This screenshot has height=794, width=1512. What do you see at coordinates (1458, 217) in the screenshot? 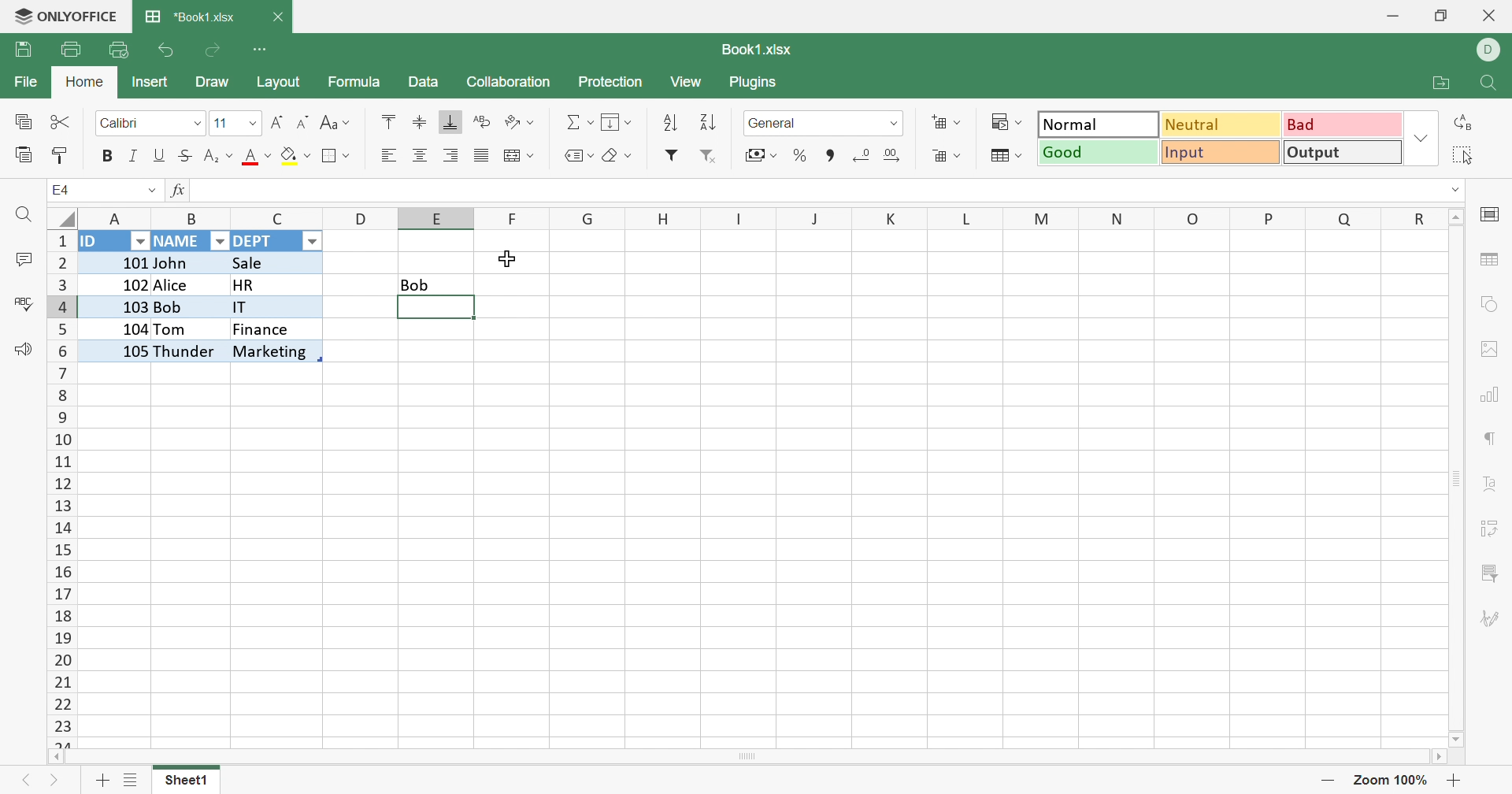
I see `Scroll Up` at bounding box center [1458, 217].